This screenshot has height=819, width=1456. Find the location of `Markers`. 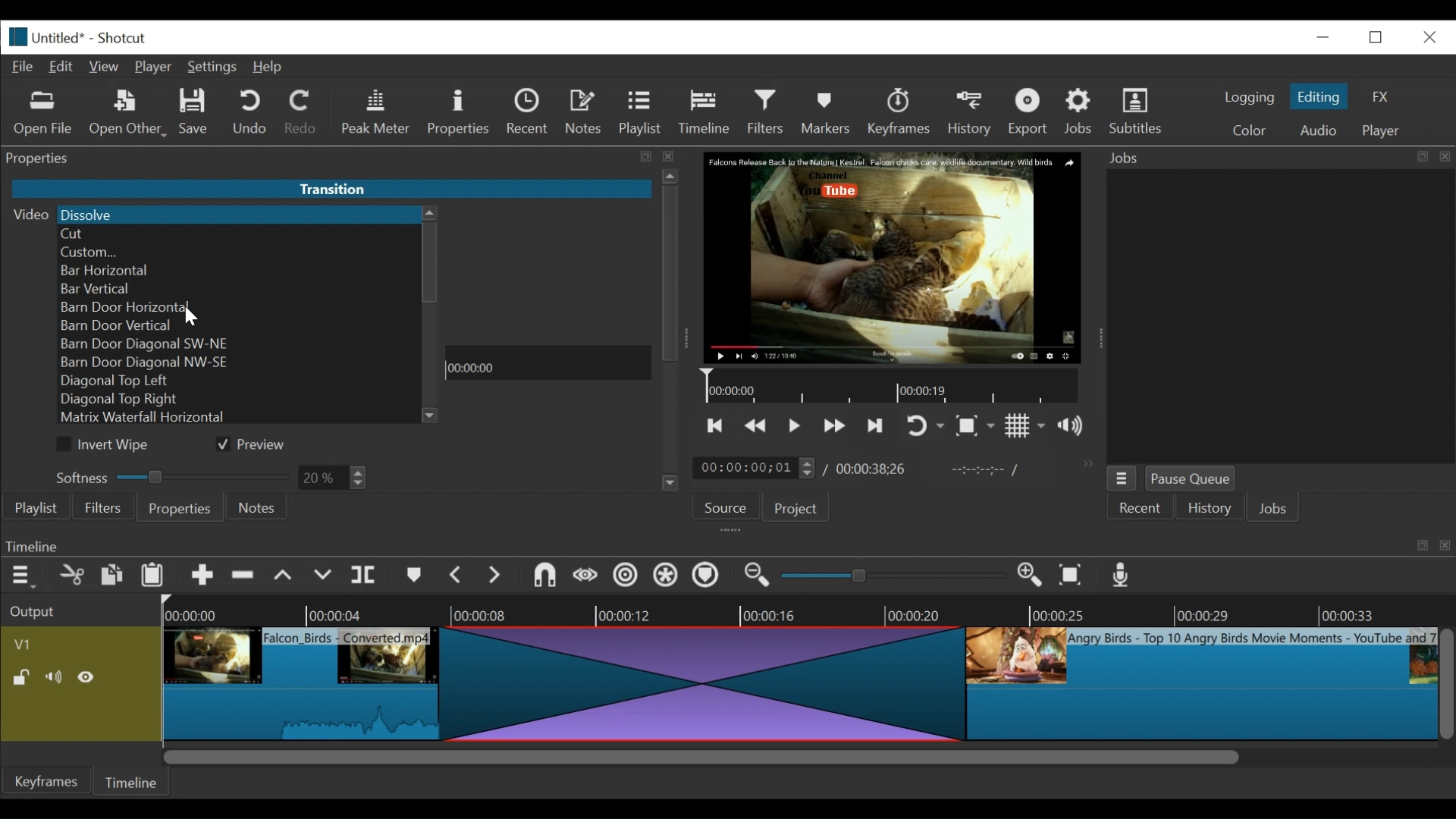

Markers is located at coordinates (829, 111).